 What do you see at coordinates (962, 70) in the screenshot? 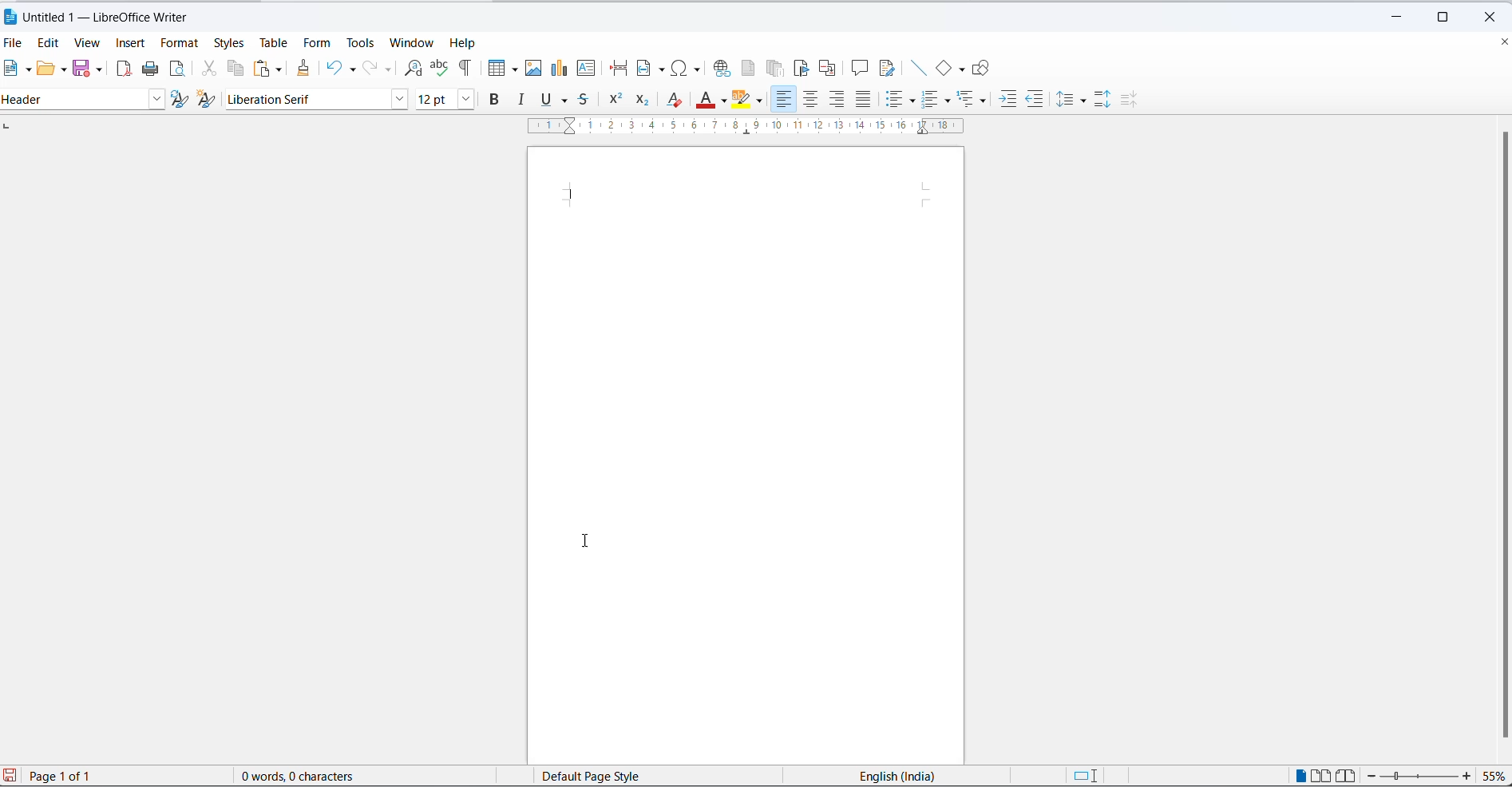
I see `basic shapes` at bounding box center [962, 70].